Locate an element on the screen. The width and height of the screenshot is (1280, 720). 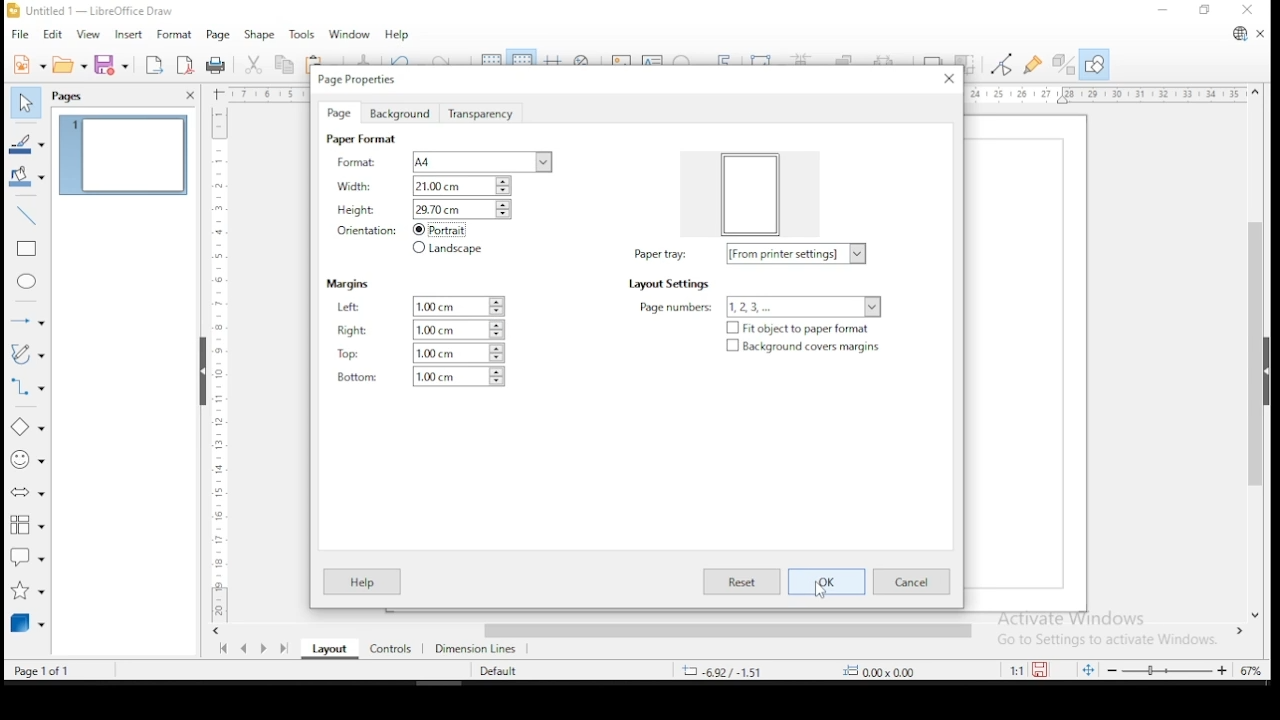
Page Info is located at coordinates (57, 670).